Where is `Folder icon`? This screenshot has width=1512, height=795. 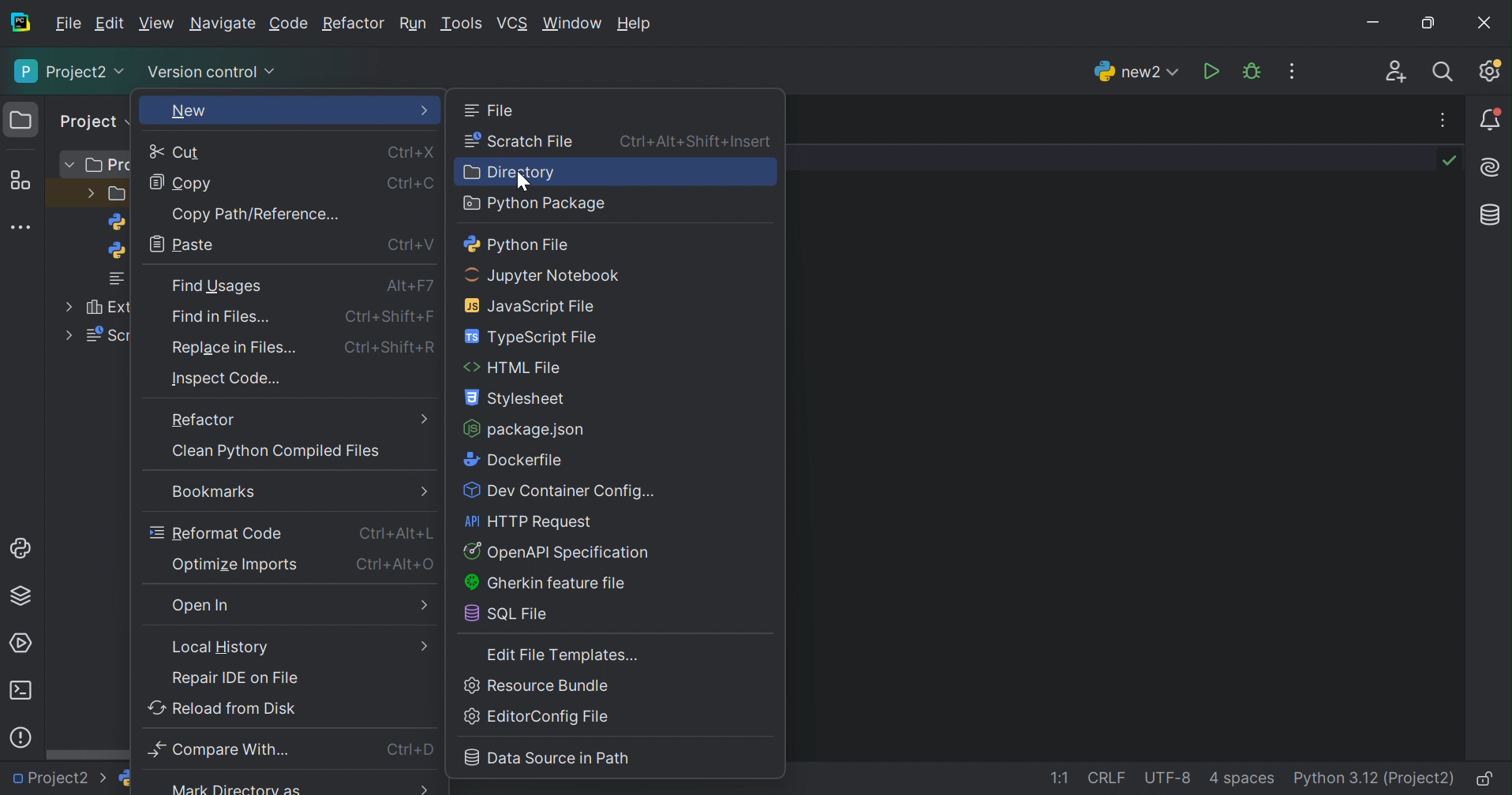 Folder icon is located at coordinates (21, 119).